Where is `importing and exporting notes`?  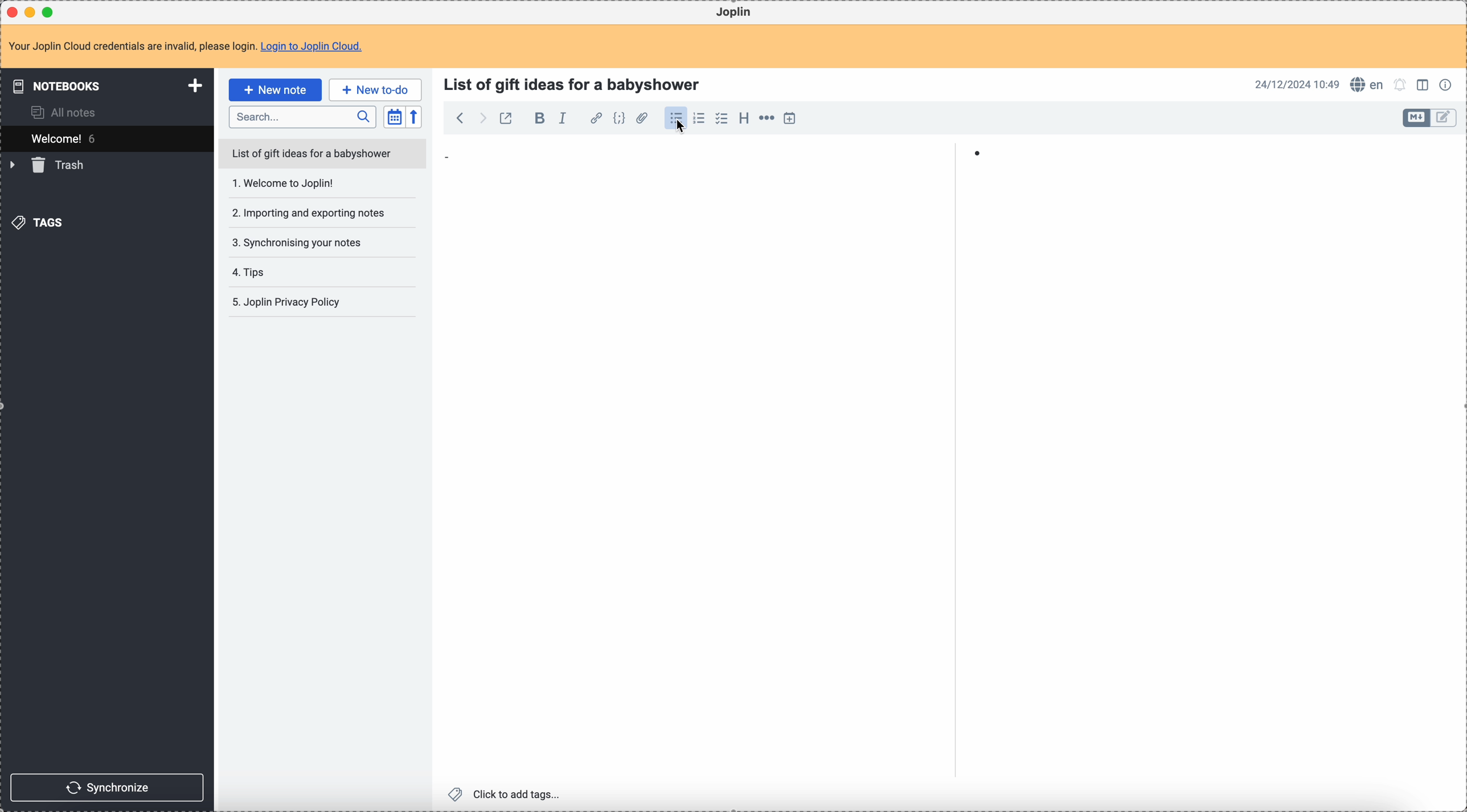 importing and exporting notes is located at coordinates (308, 212).